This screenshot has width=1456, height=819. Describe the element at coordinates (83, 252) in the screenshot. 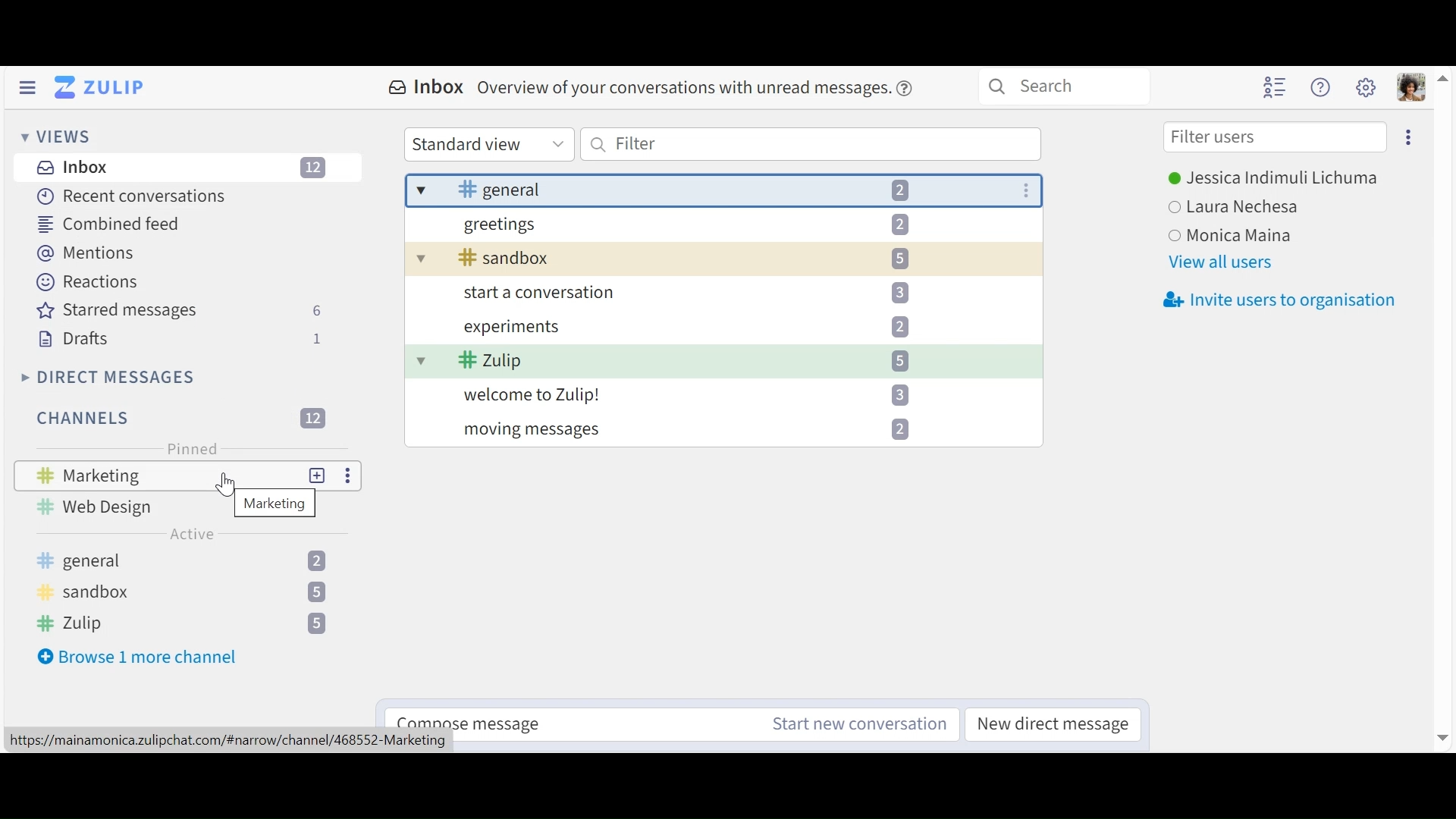

I see `Mentions` at that location.